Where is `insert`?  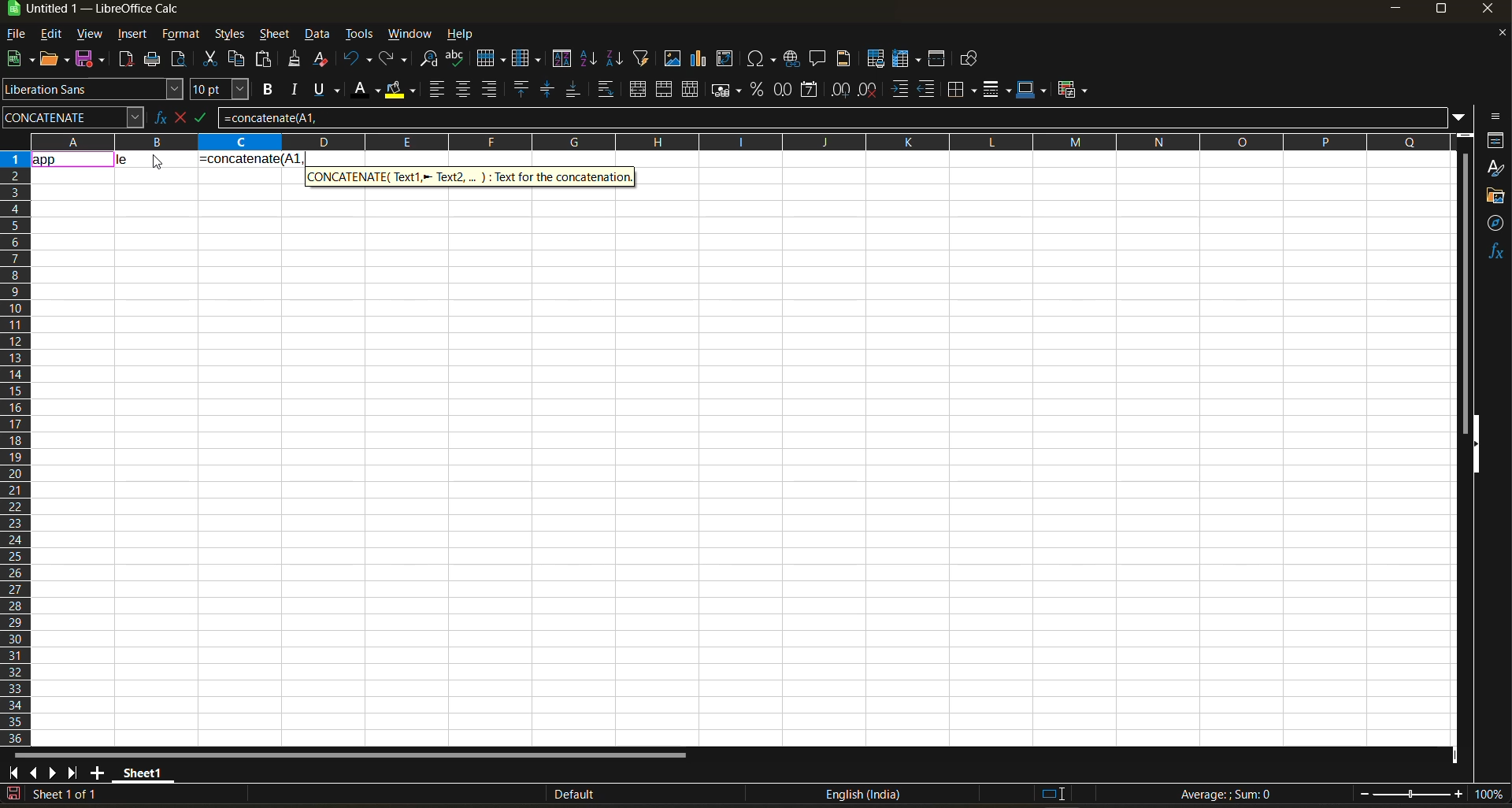
insert is located at coordinates (132, 35).